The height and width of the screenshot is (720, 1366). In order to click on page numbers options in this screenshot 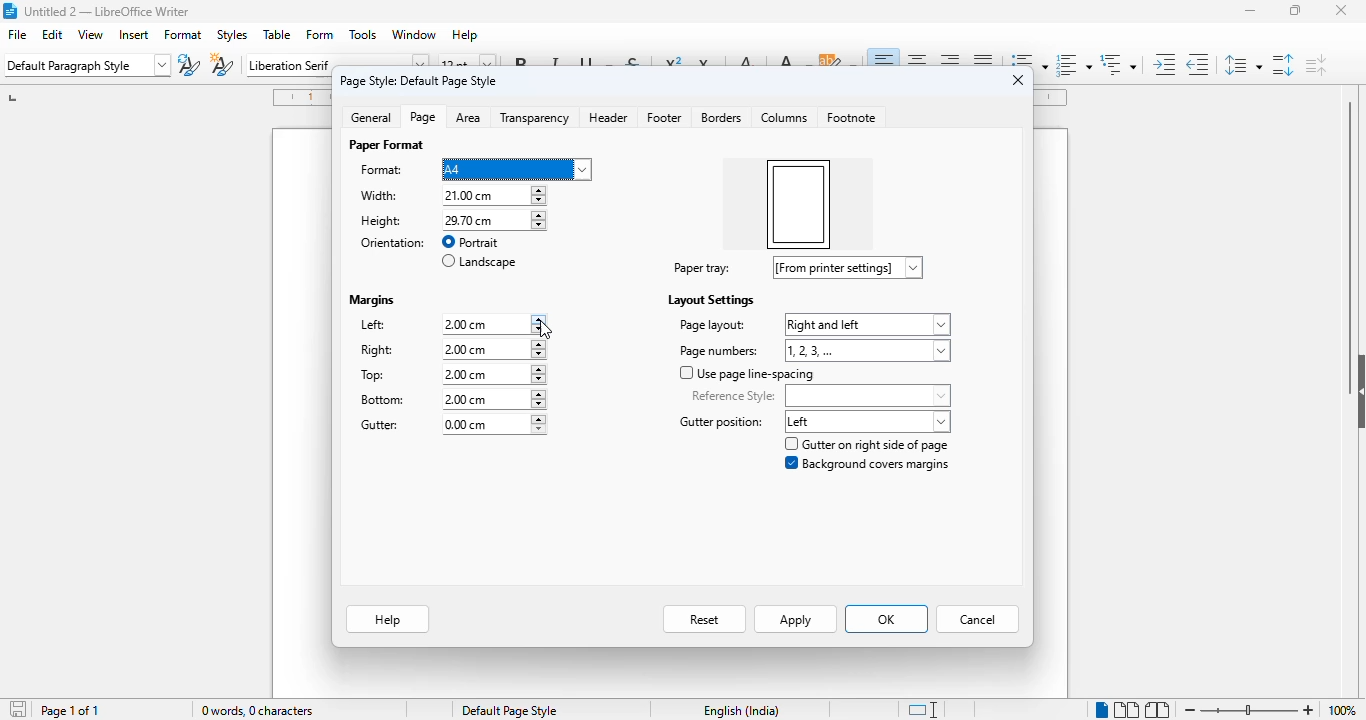, I will do `click(867, 351)`.